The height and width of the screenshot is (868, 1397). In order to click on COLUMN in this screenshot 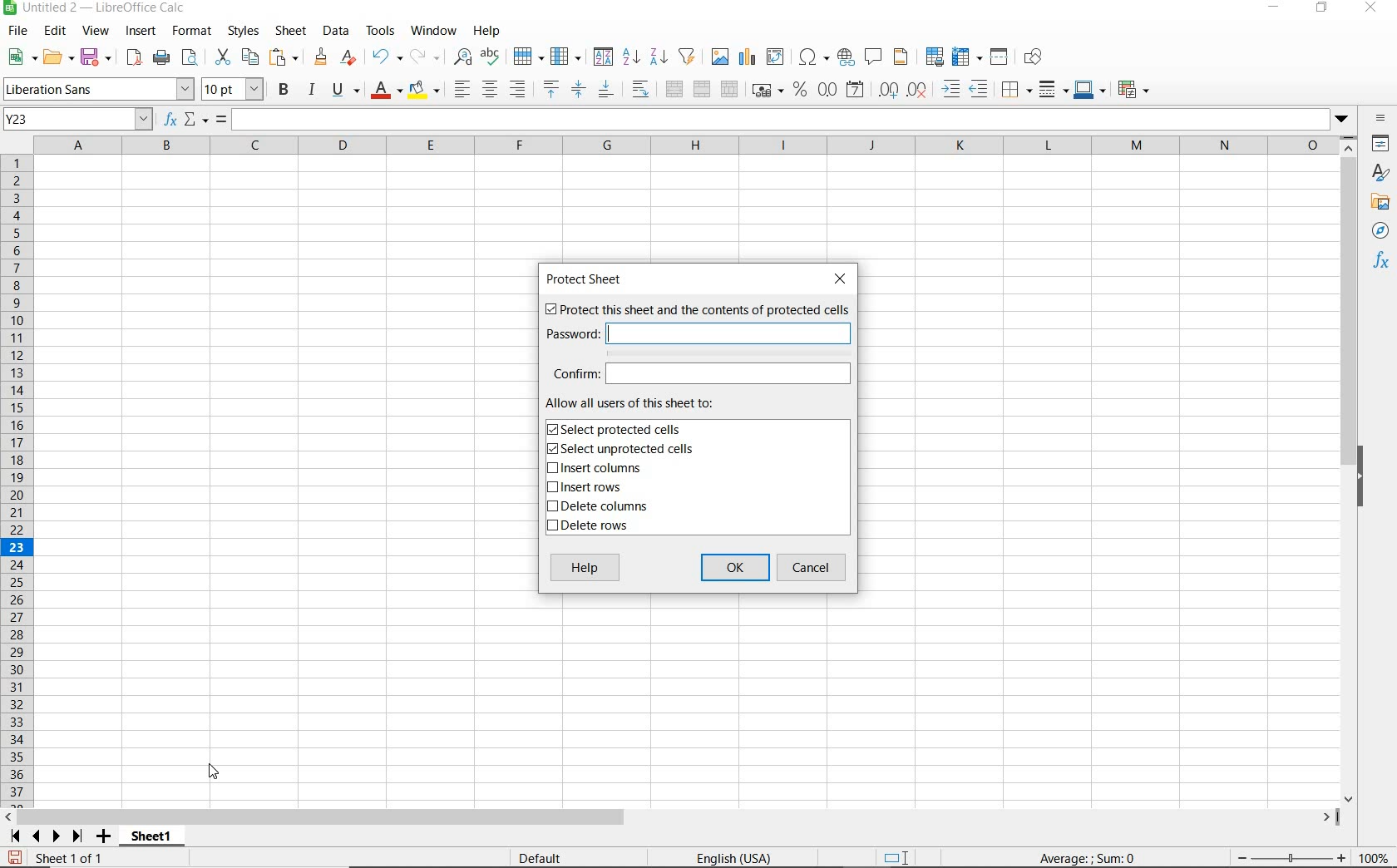, I will do `click(568, 57)`.